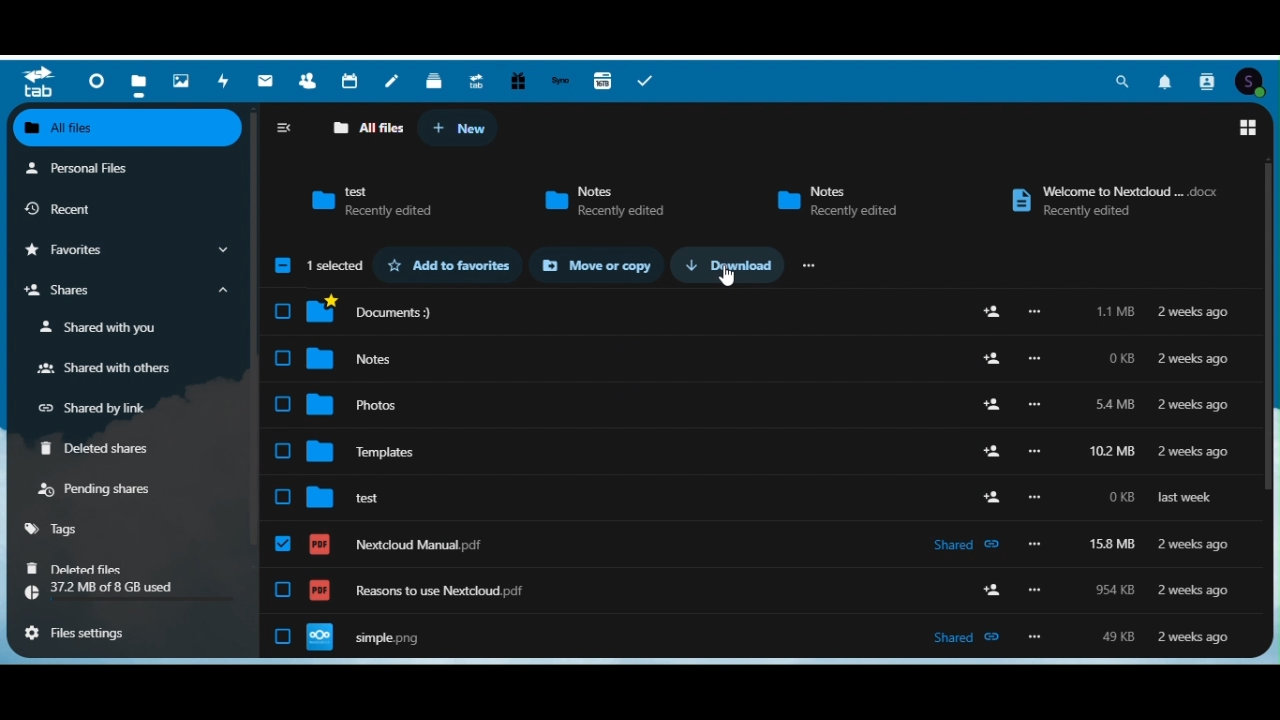  I want to click on Files settings, so click(86, 635).